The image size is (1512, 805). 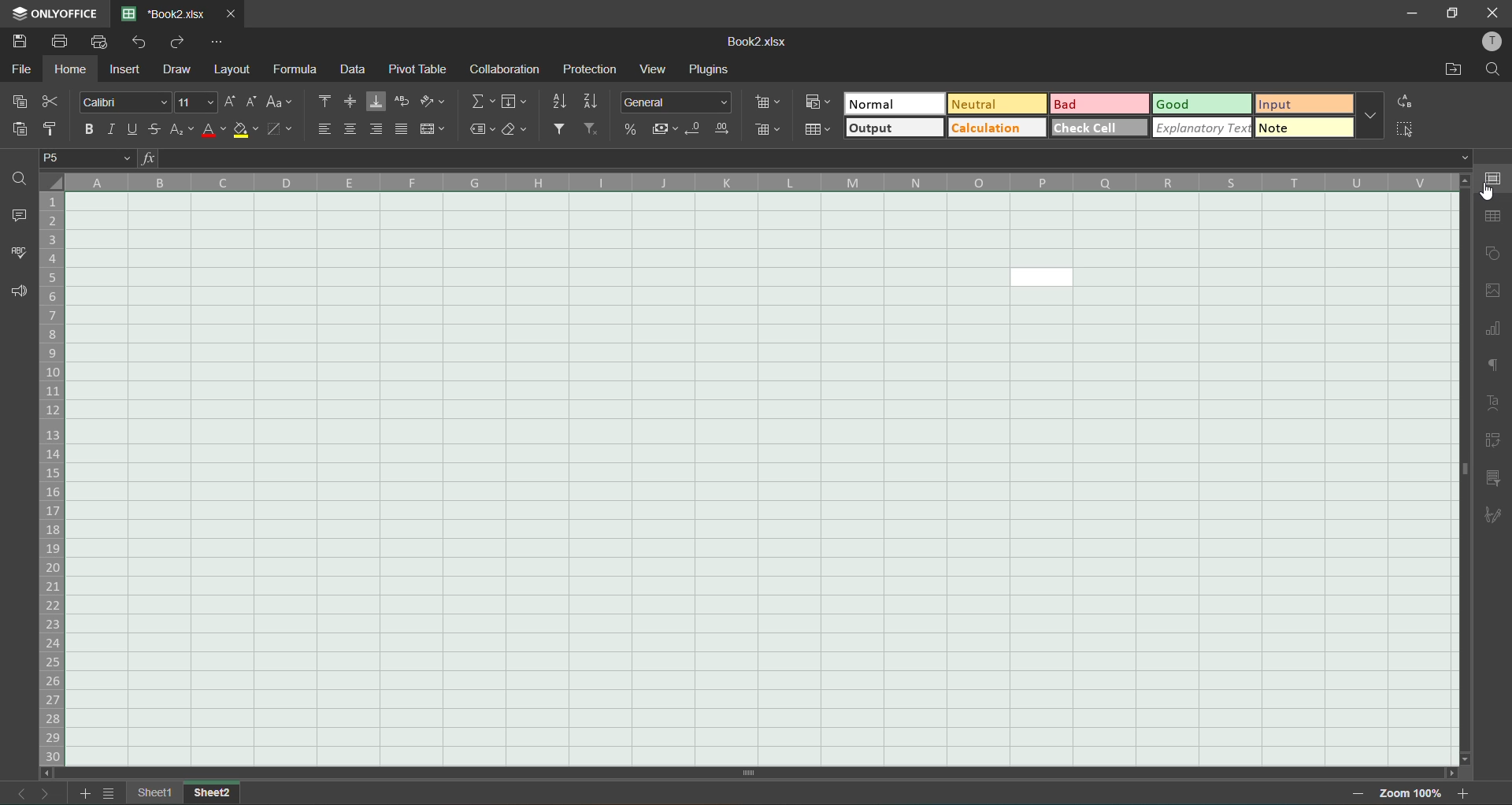 I want to click on justified, so click(x=405, y=130).